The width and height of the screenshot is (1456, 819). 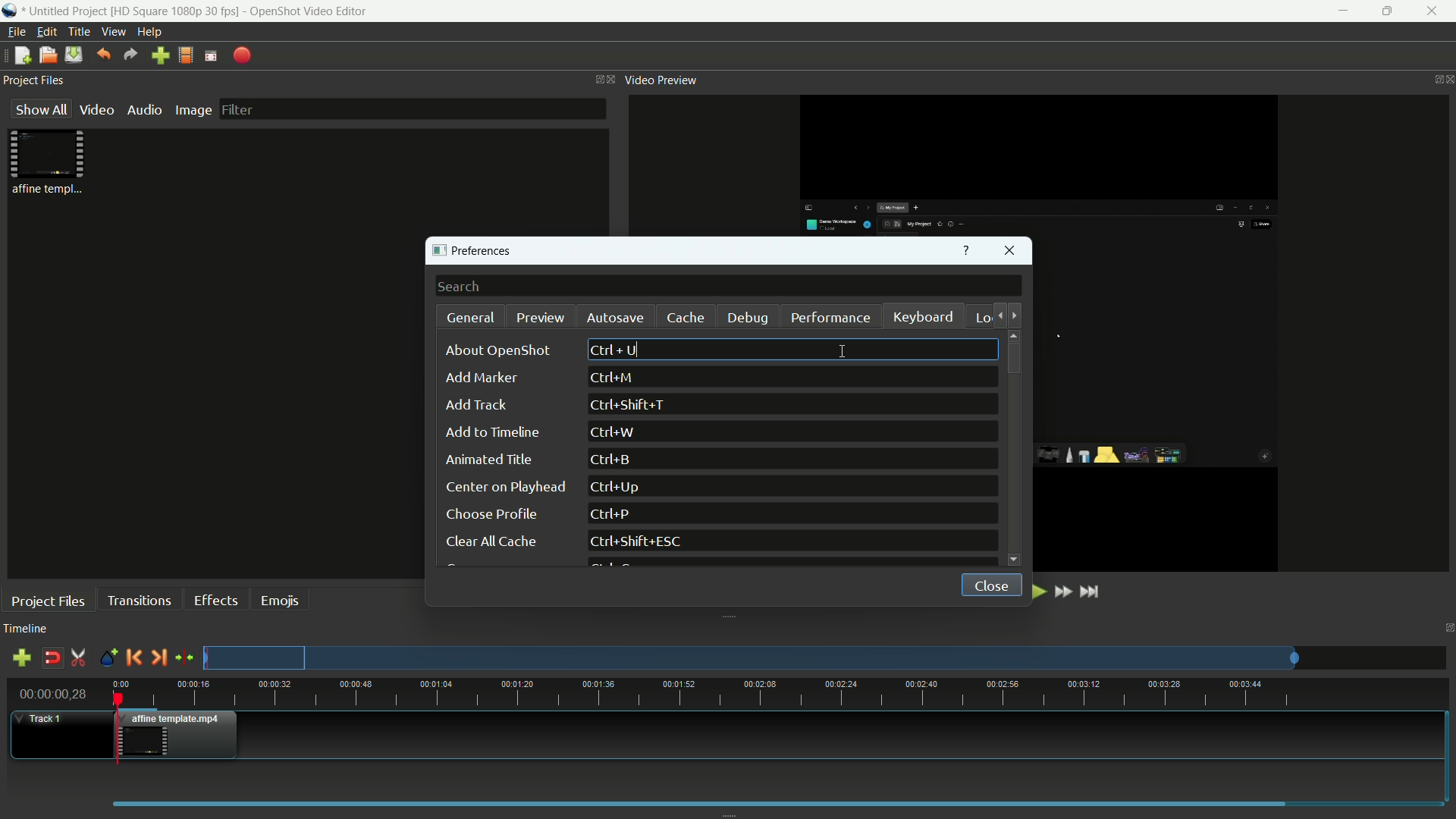 I want to click on track 1, so click(x=42, y=719).